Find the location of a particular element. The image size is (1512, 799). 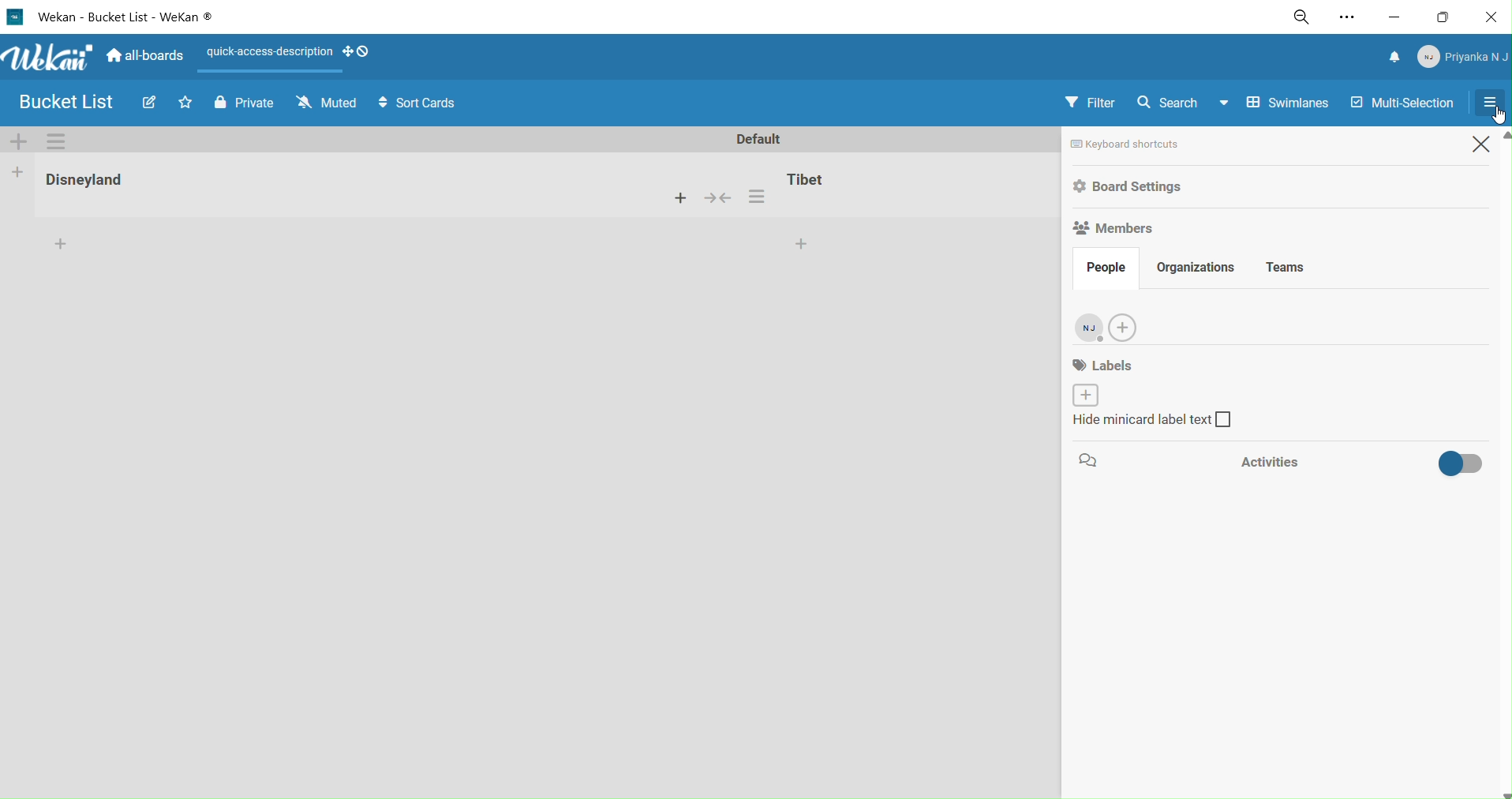

activities is located at coordinates (1367, 463).